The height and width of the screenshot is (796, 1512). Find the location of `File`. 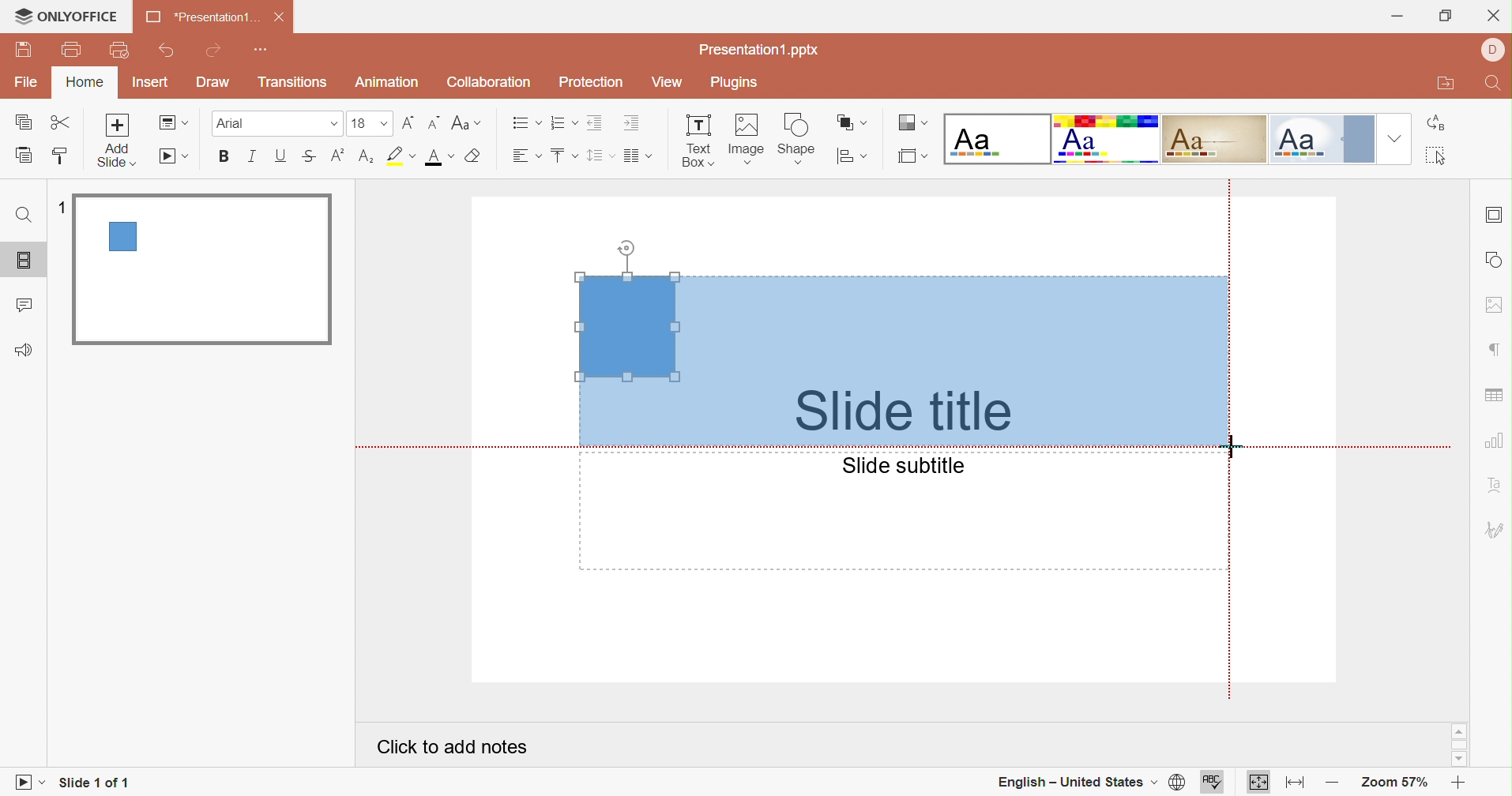

File is located at coordinates (28, 80).